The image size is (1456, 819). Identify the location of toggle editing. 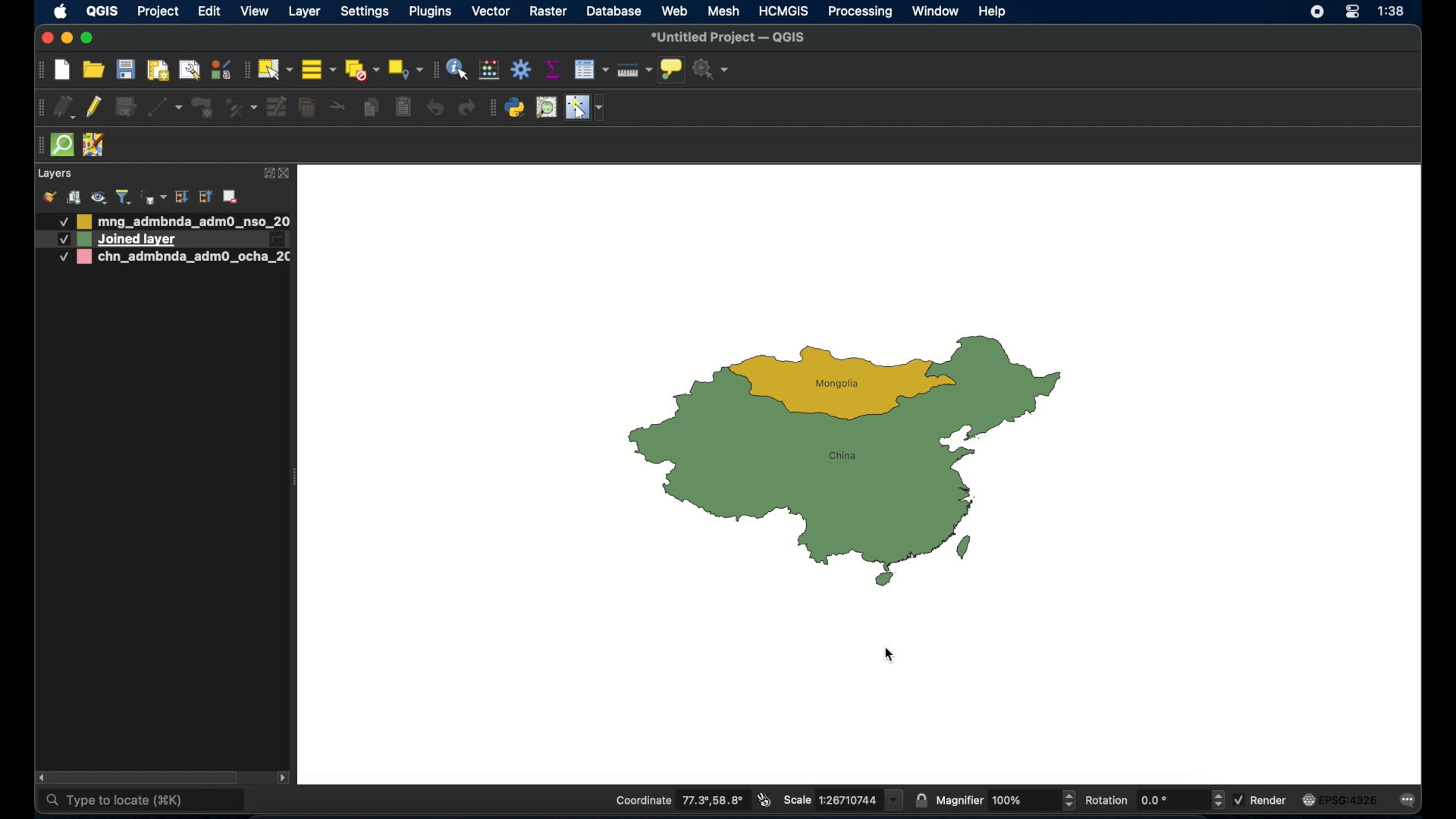
(95, 109).